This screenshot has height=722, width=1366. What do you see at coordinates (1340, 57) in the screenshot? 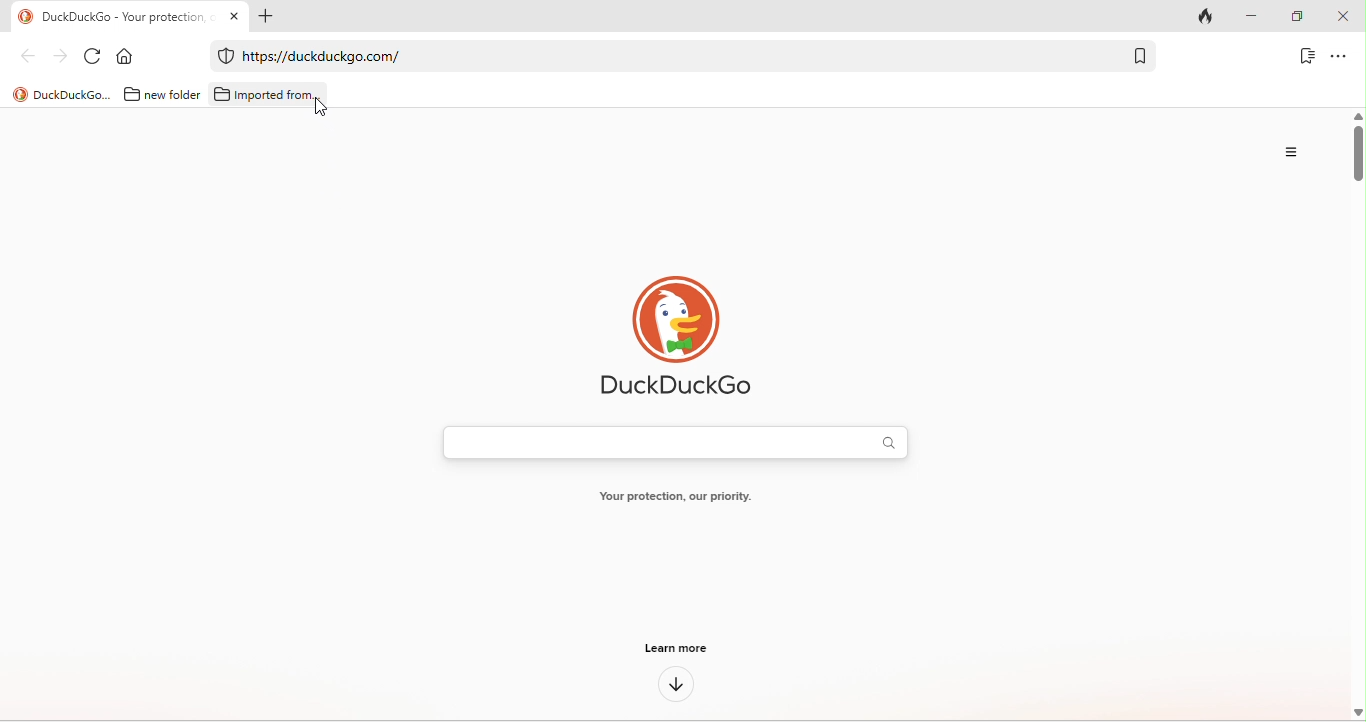
I see `option` at bounding box center [1340, 57].